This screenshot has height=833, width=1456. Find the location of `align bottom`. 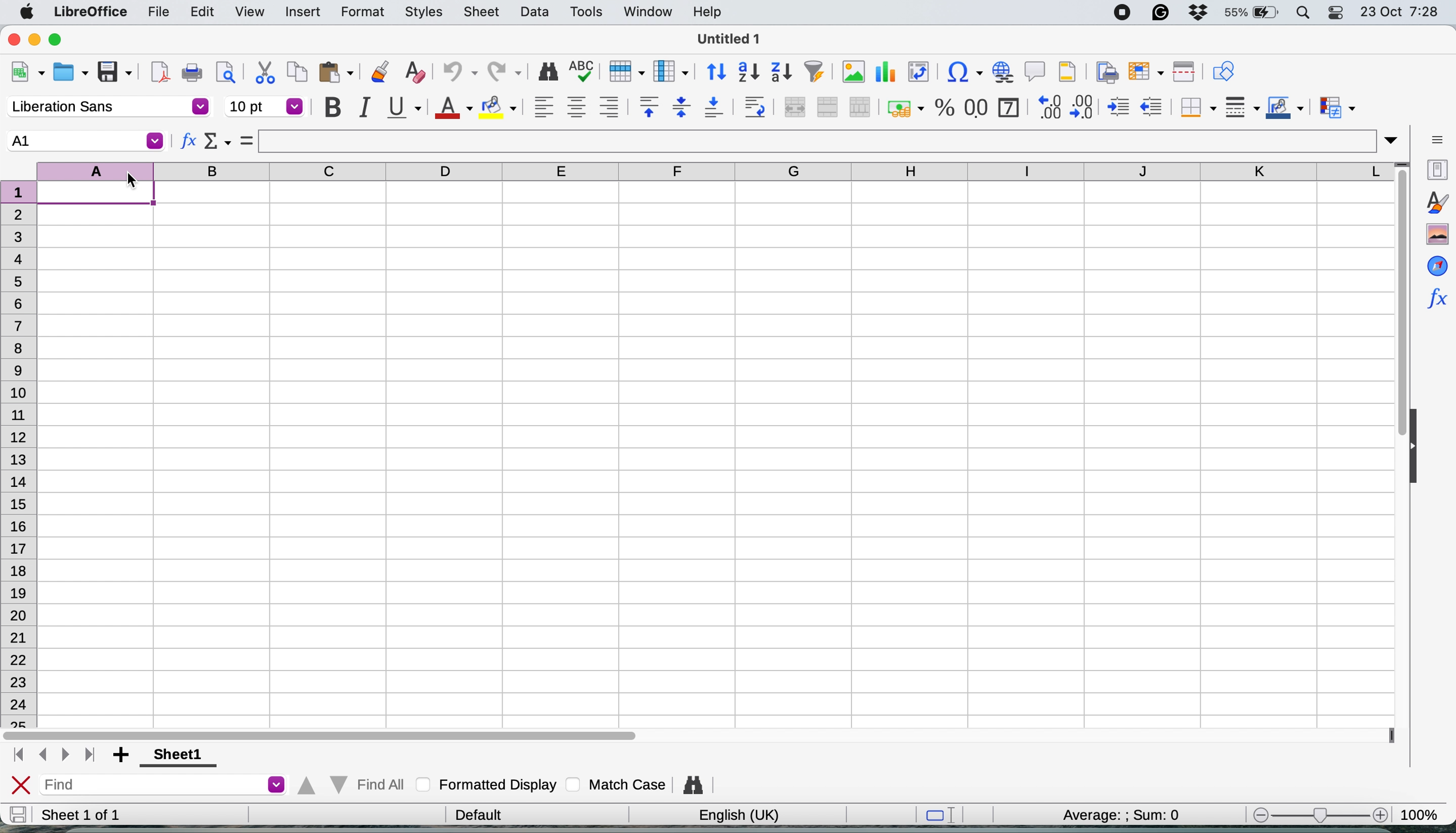

align bottom is located at coordinates (719, 108).